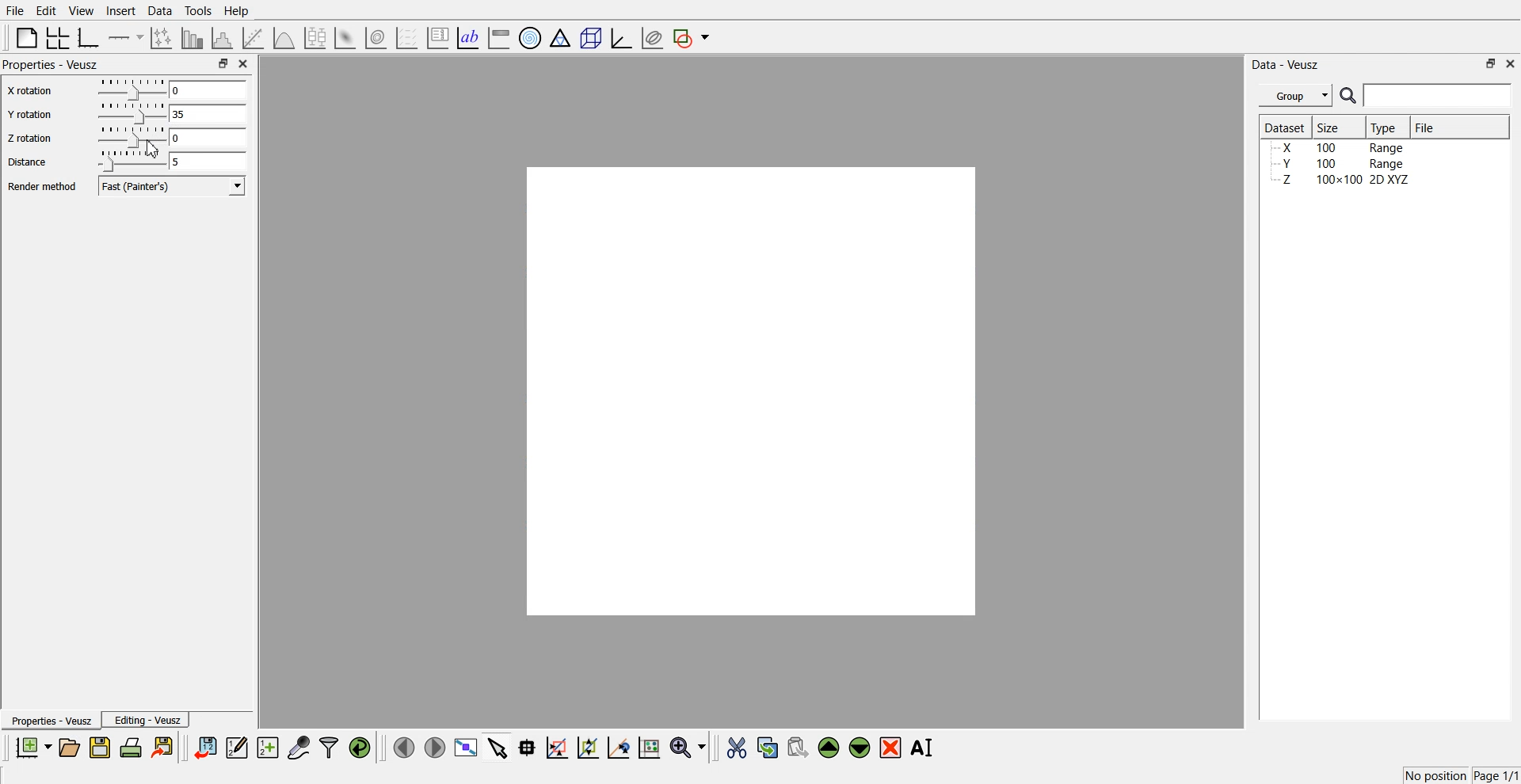 The height and width of the screenshot is (784, 1521). Describe the element at coordinates (1296, 96) in the screenshot. I see `Group` at that location.